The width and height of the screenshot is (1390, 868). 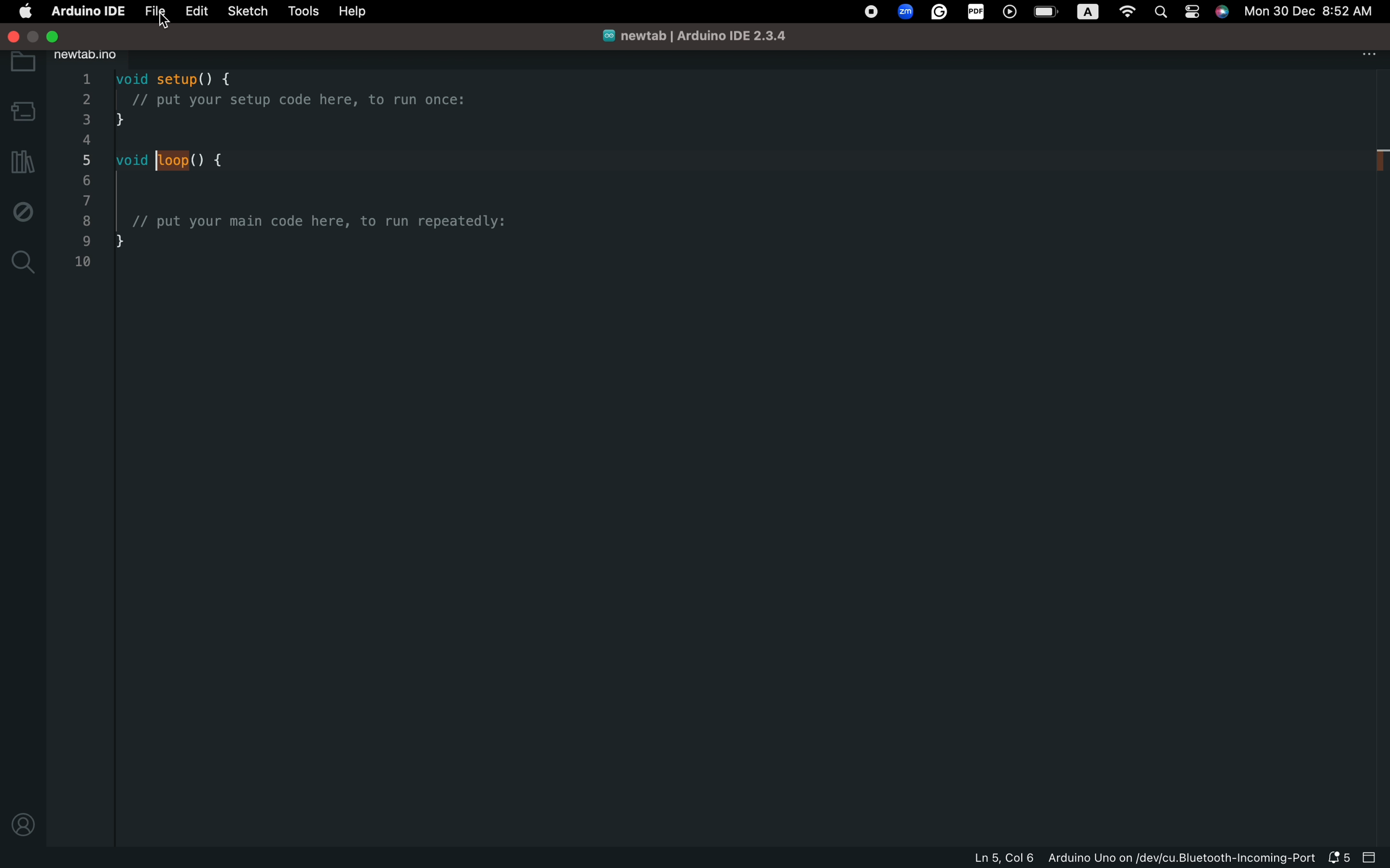 What do you see at coordinates (23, 823) in the screenshot?
I see `profile` at bounding box center [23, 823].